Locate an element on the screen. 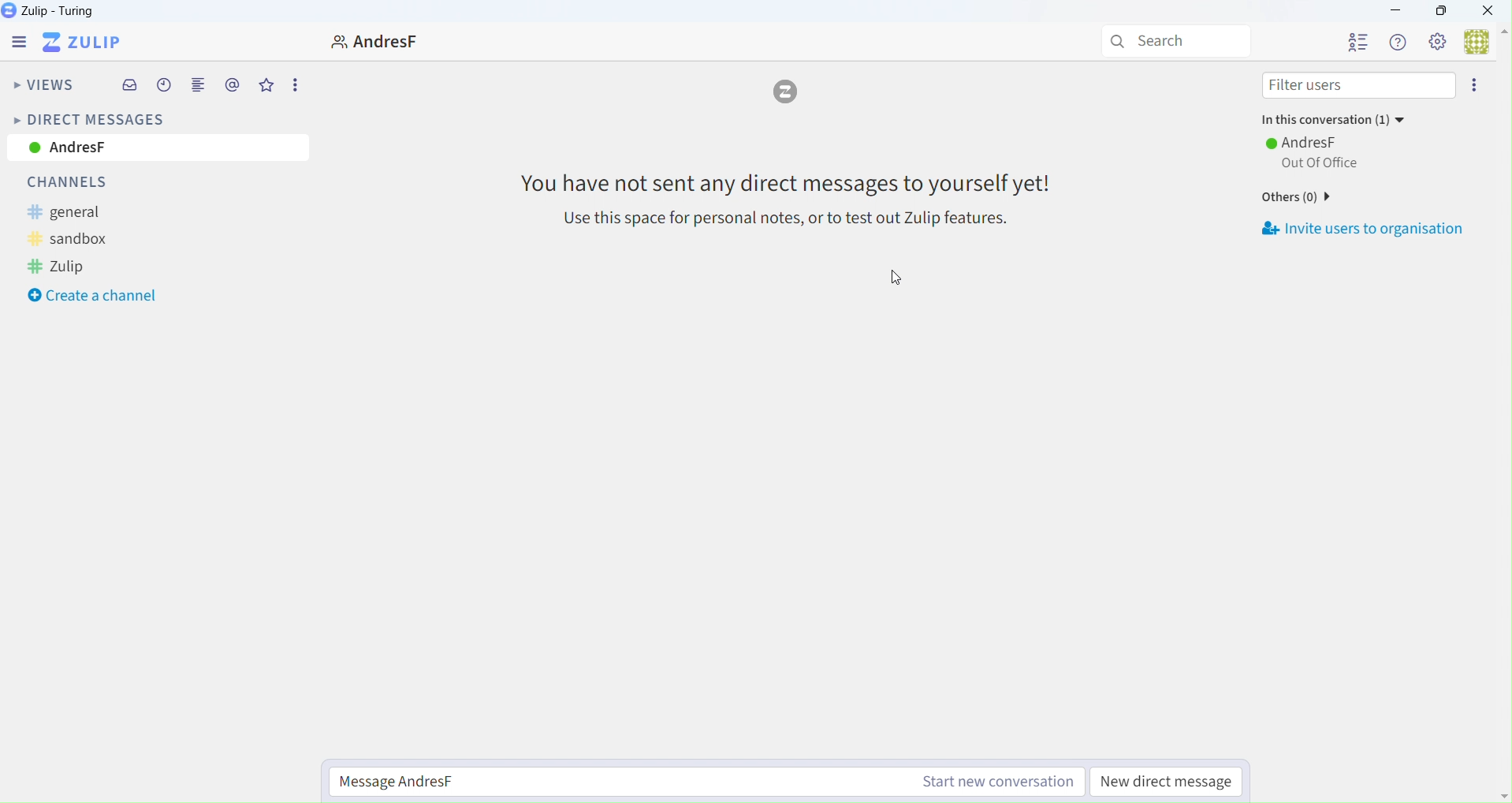 The width and height of the screenshot is (1512, 803). Merge View is located at coordinates (198, 88).